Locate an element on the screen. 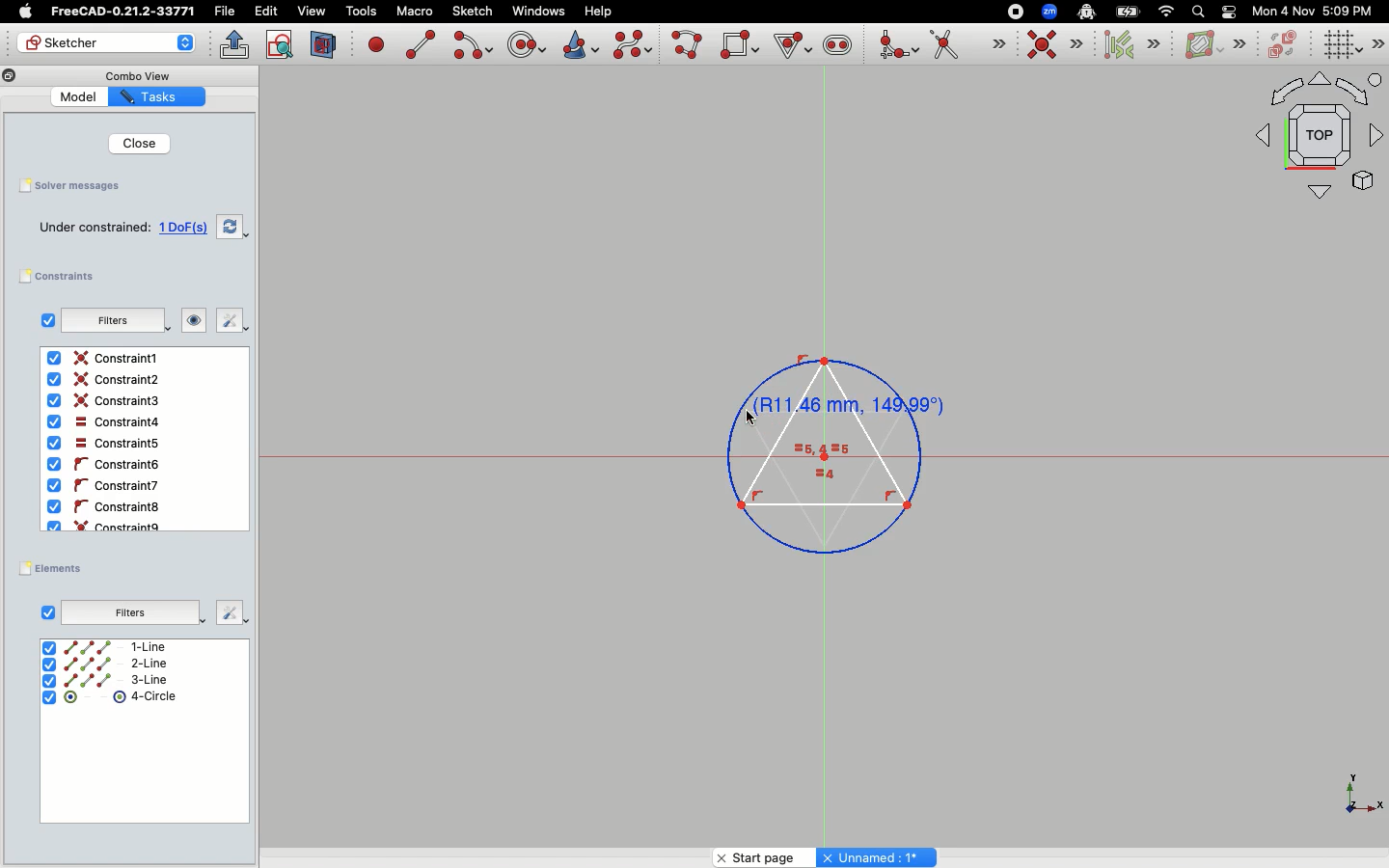 Image resolution: width=1389 pixels, height=868 pixels. View section is located at coordinates (324, 44).